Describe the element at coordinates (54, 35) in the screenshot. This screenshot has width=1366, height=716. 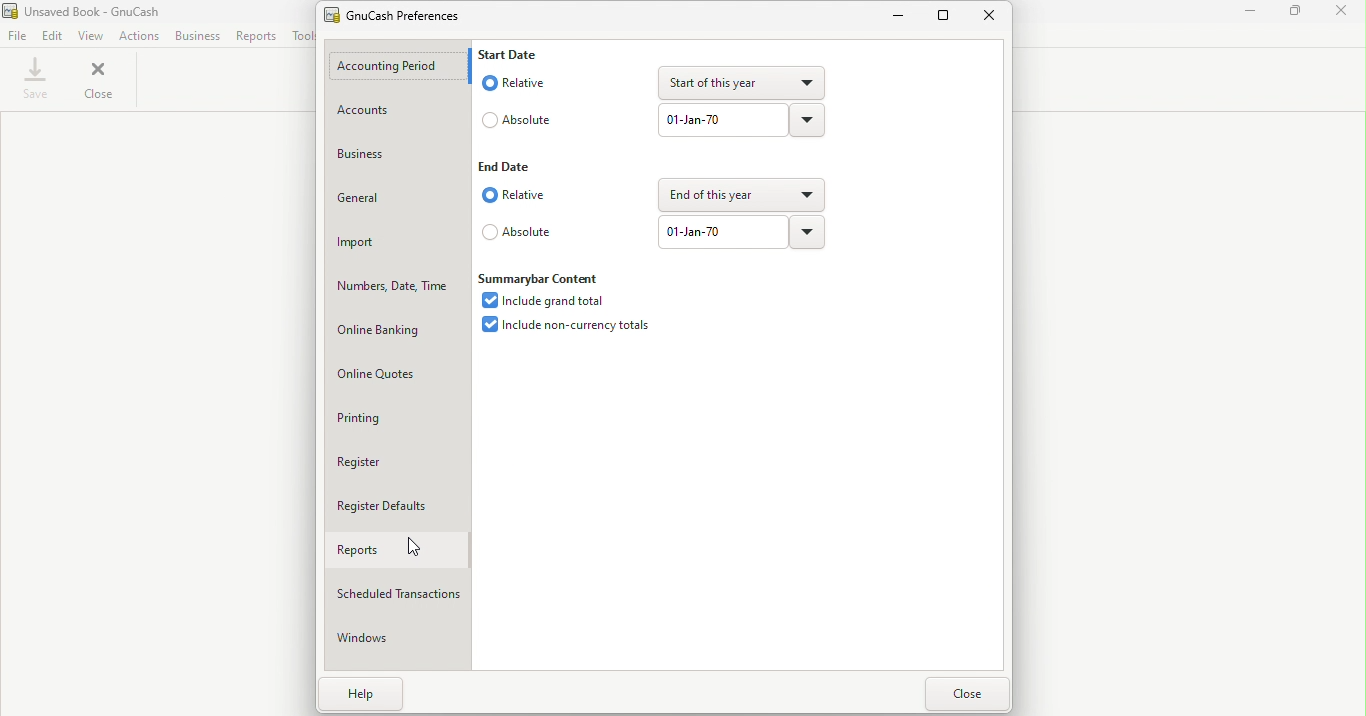
I see `Edit` at that location.